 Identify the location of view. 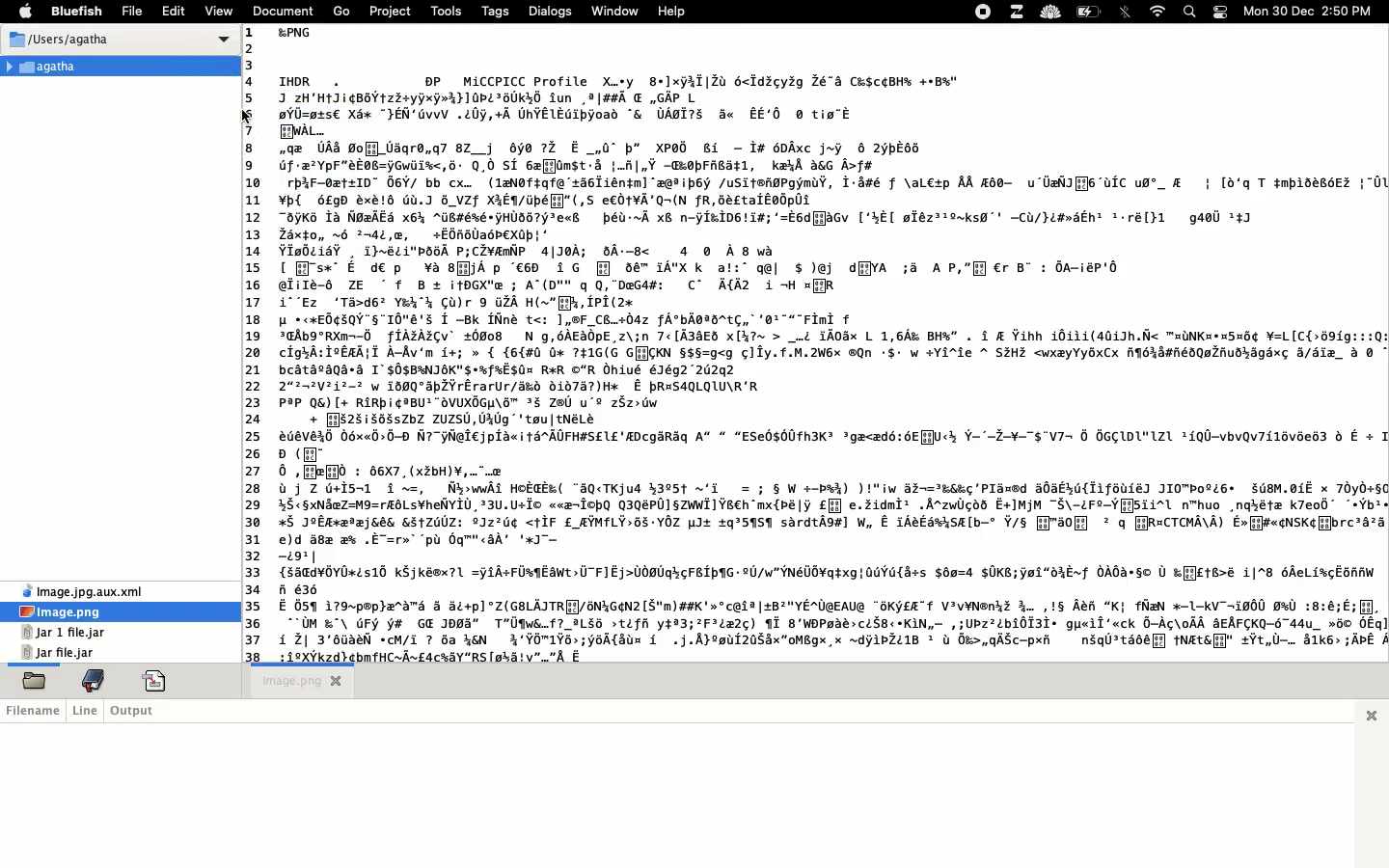
(220, 10).